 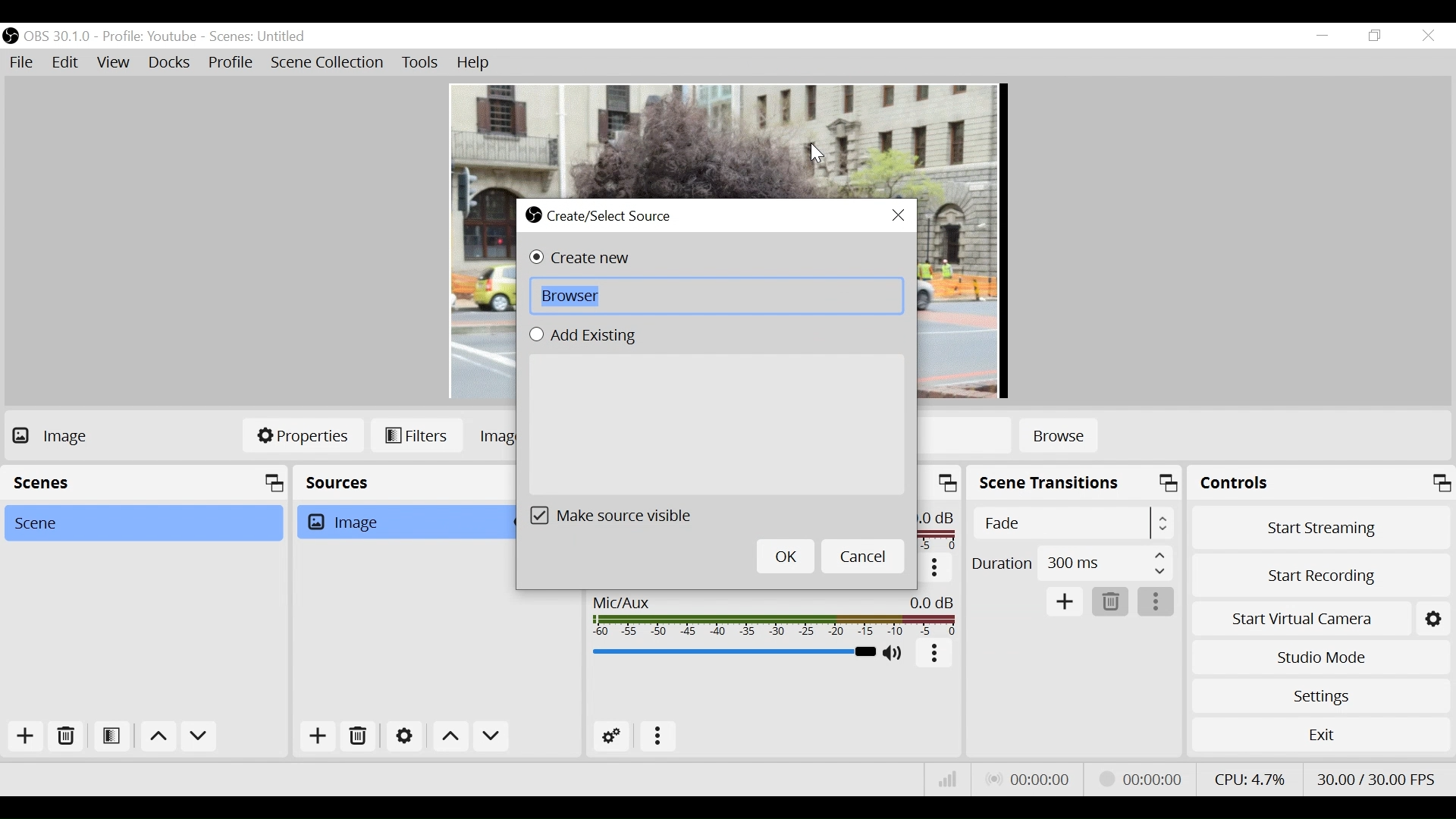 What do you see at coordinates (777, 615) in the screenshot?
I see `Mic/Aux` at bounding box center [777, 615].